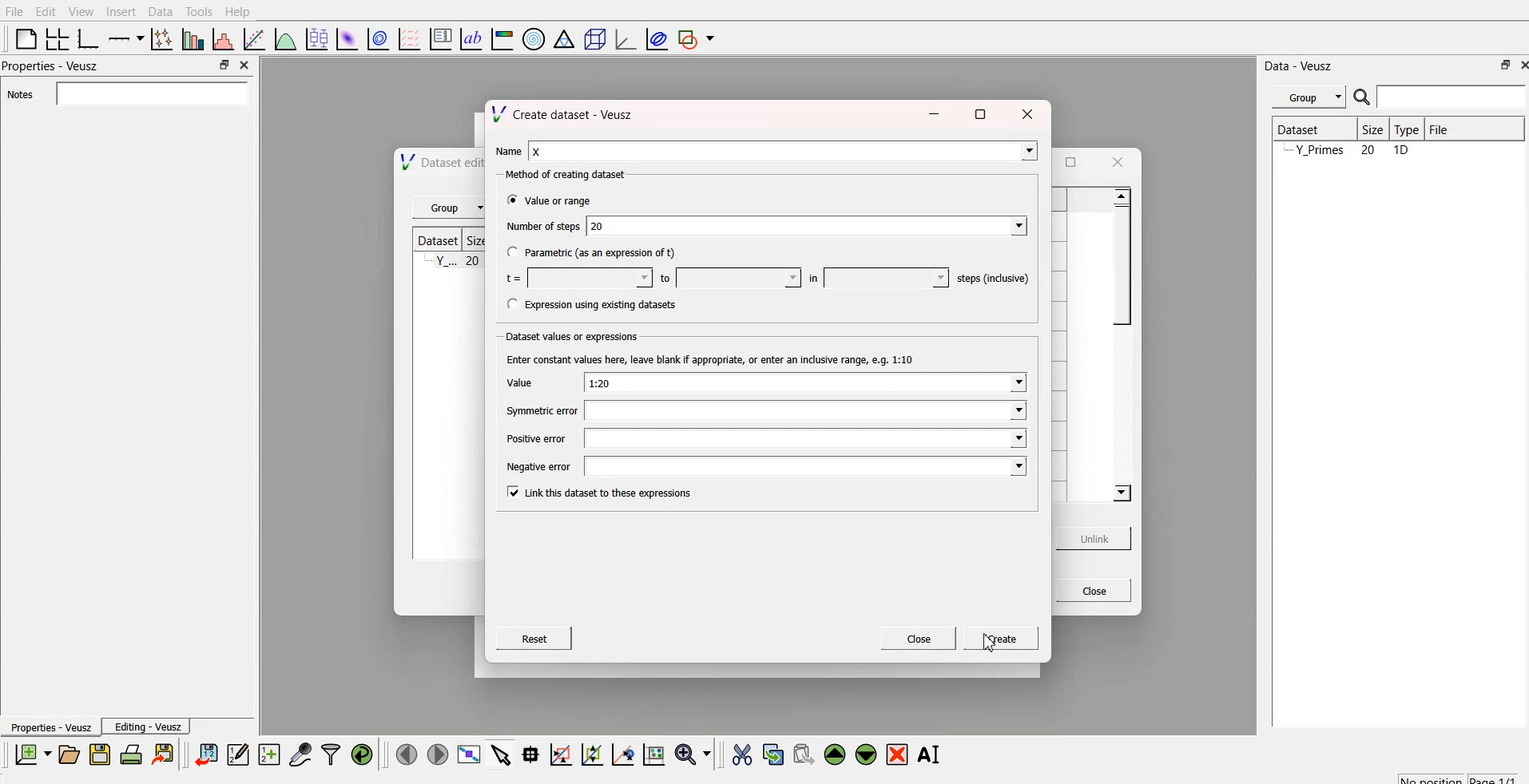 This screenshot has width=1529, height=784. I want to click on View, so click(82, 11).